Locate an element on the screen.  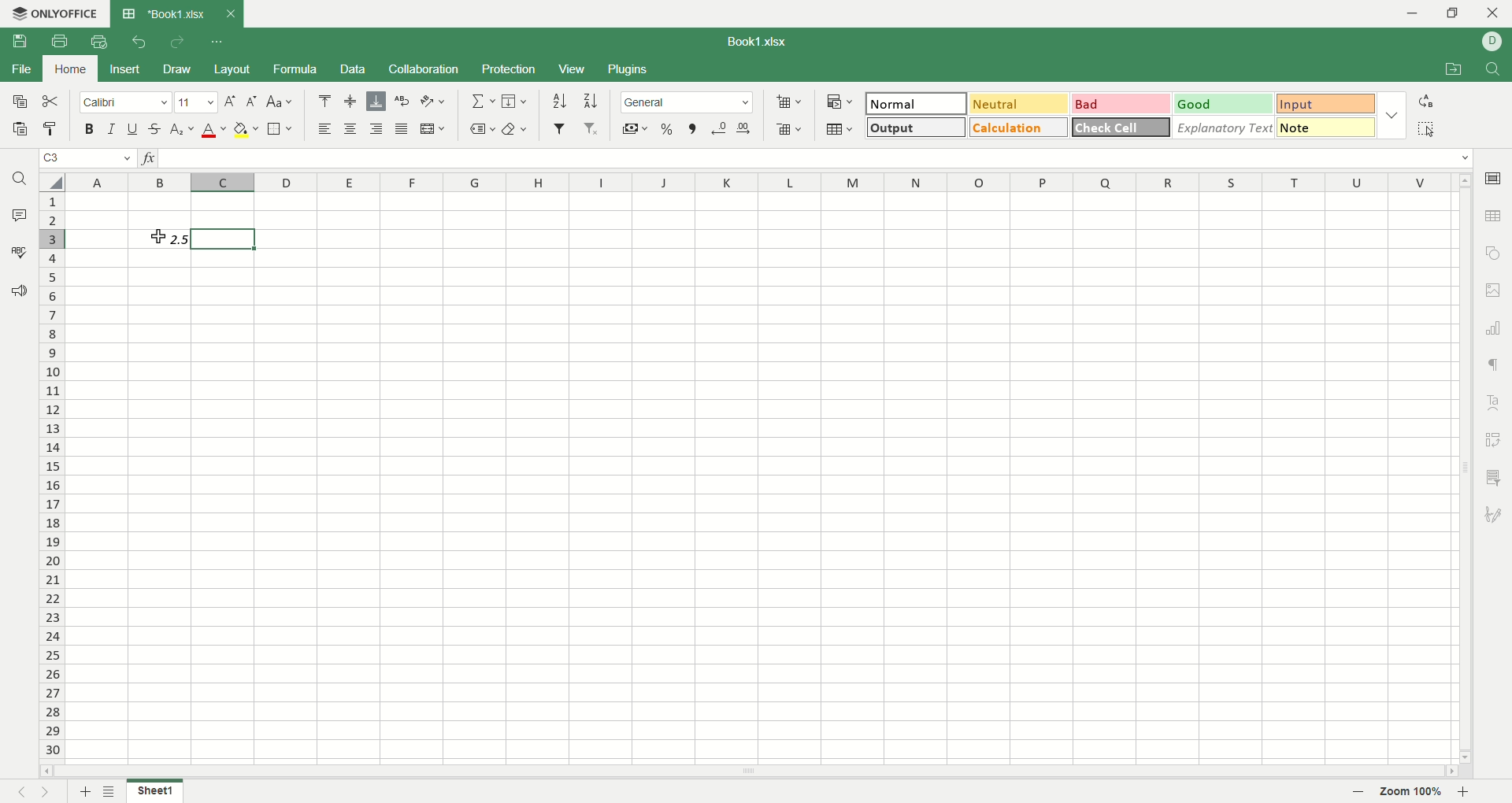
increase decimal is located at coordinates (720, 129).